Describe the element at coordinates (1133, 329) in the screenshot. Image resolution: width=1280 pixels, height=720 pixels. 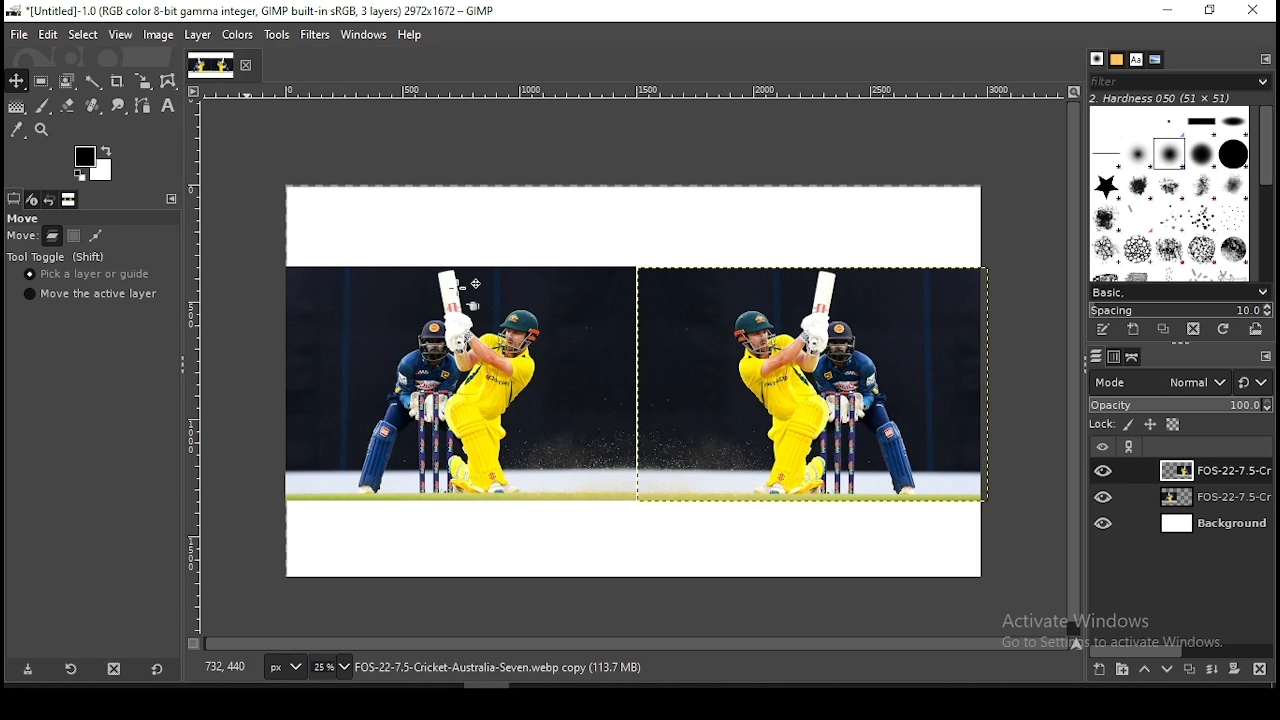
I see `create a new brush` at that location.